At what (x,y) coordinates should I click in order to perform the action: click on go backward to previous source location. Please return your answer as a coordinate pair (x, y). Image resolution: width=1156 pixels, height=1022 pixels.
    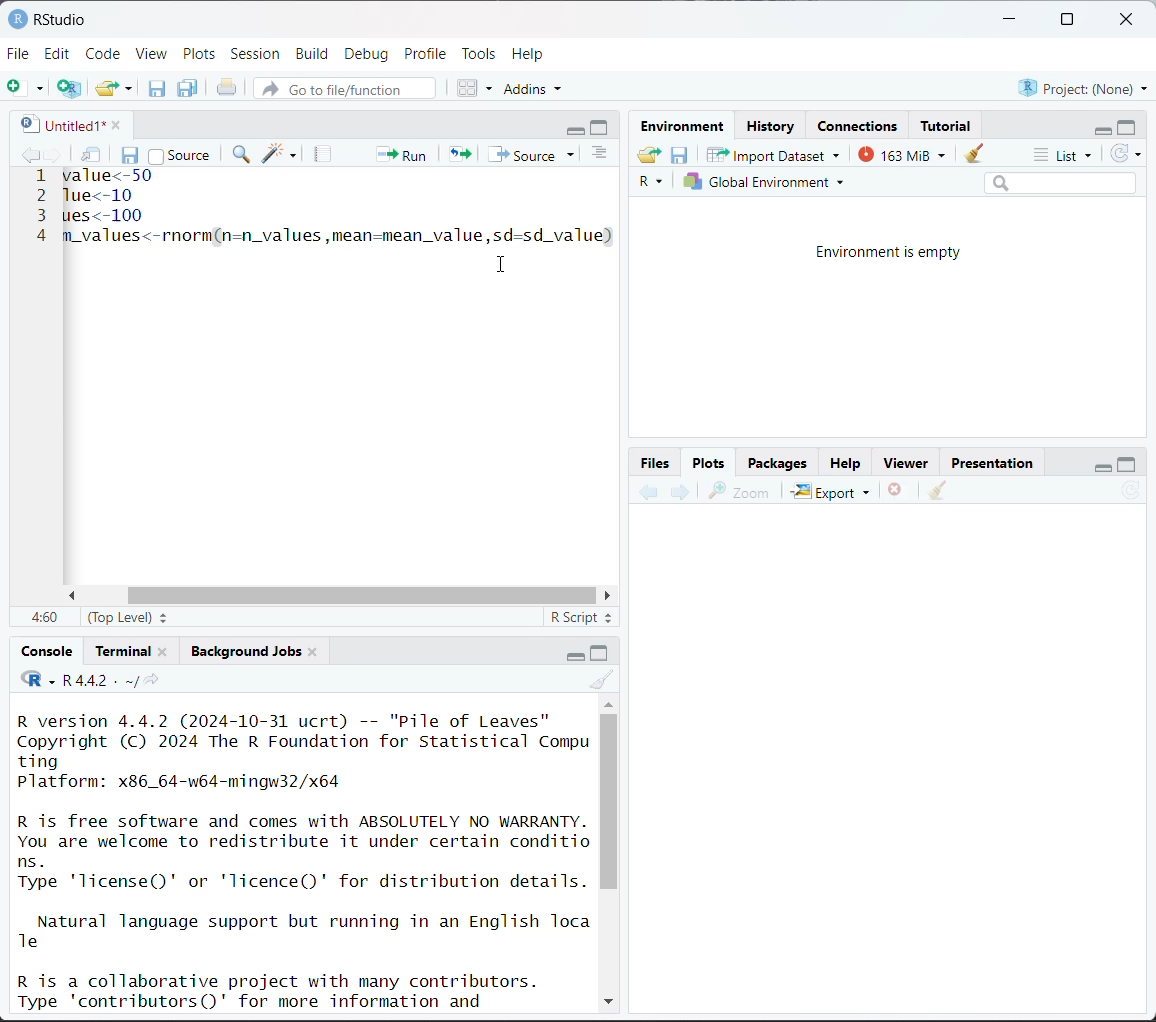
    Looking at the image, I should click on (30, 156).